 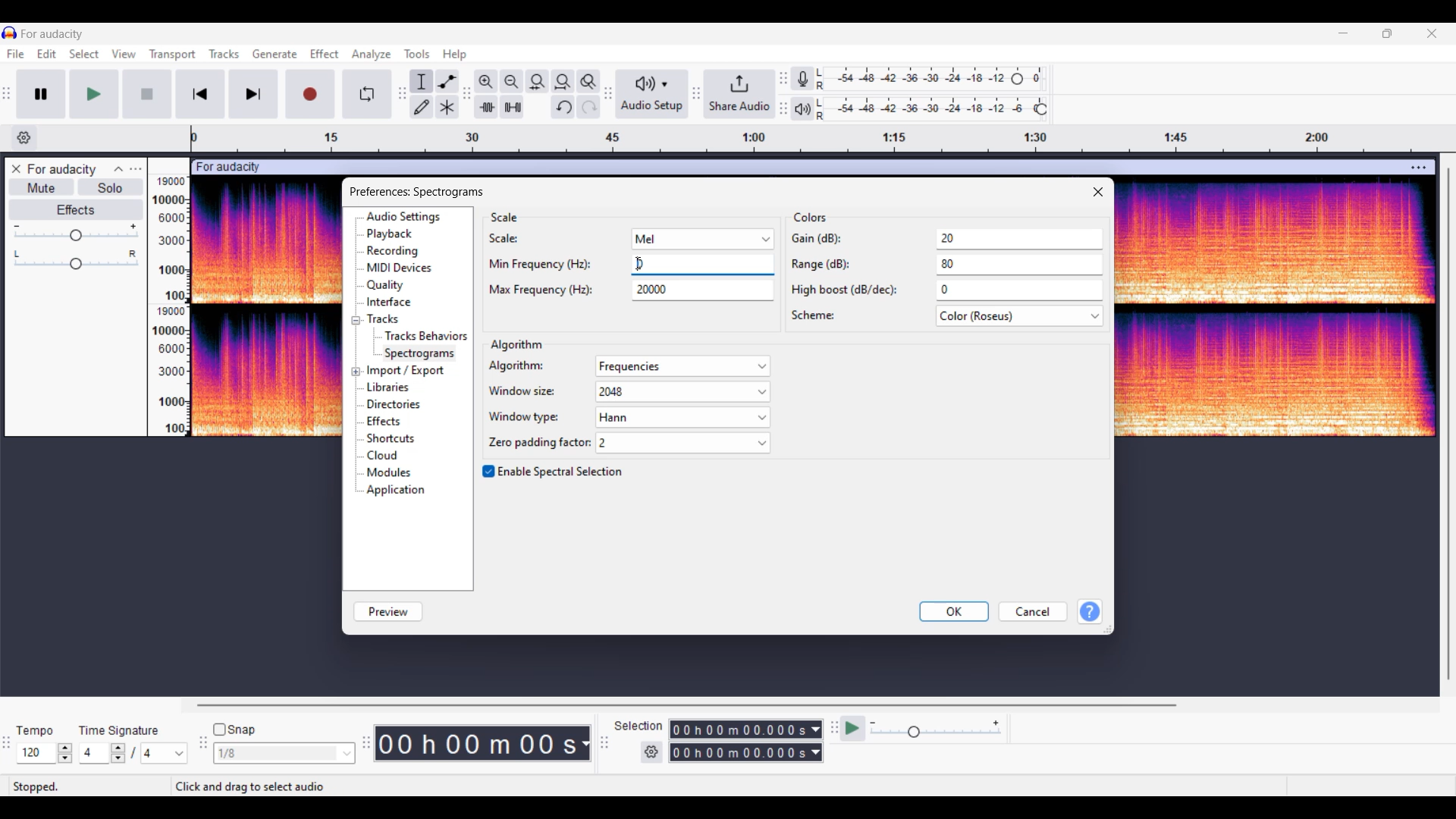 What do you see at coordinates (1418, 169) in the screenshot?
I see `Track settings` at bounding box center [1418, 169].